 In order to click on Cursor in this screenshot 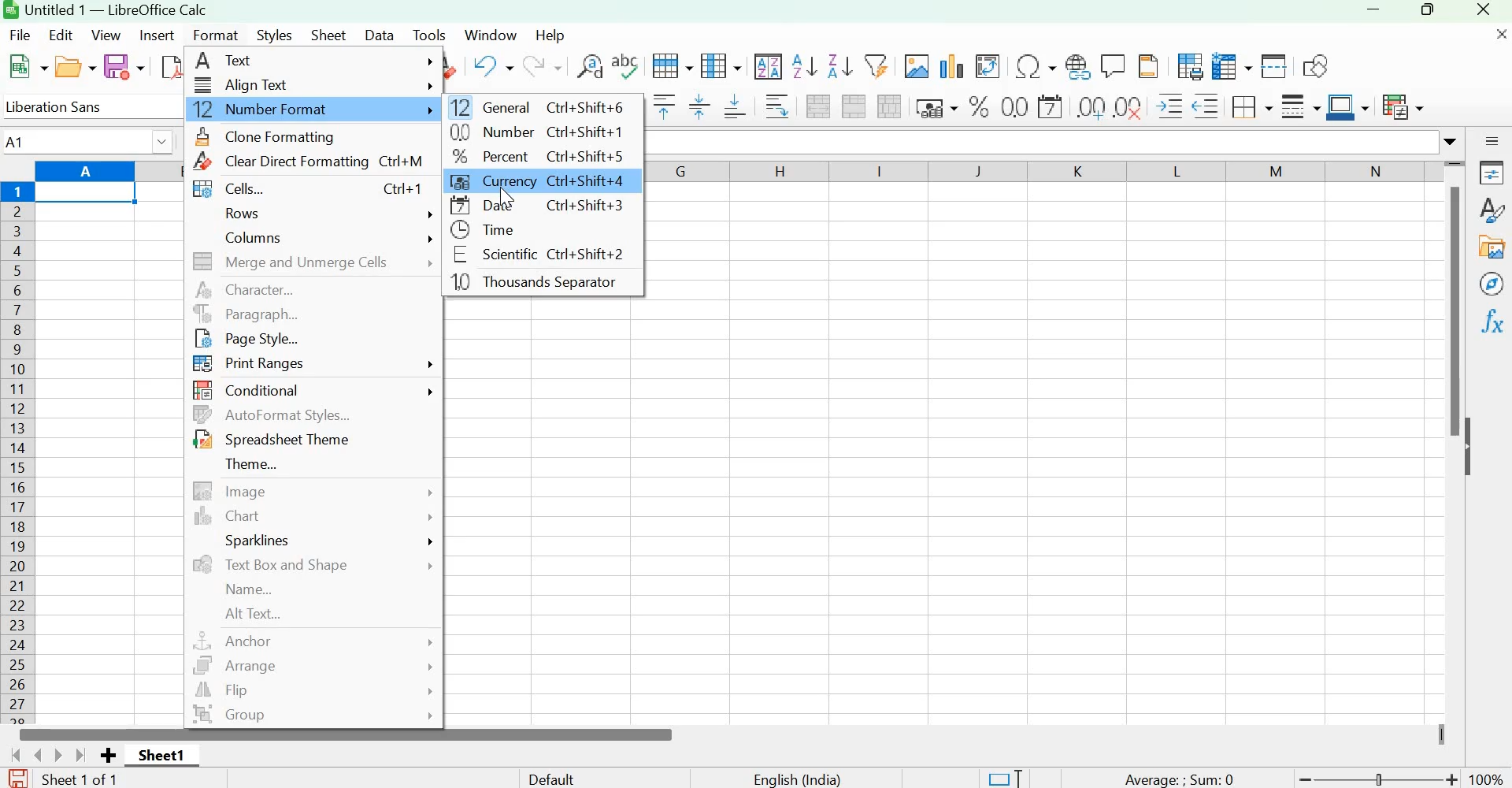, I will do `click(509, 199)`.